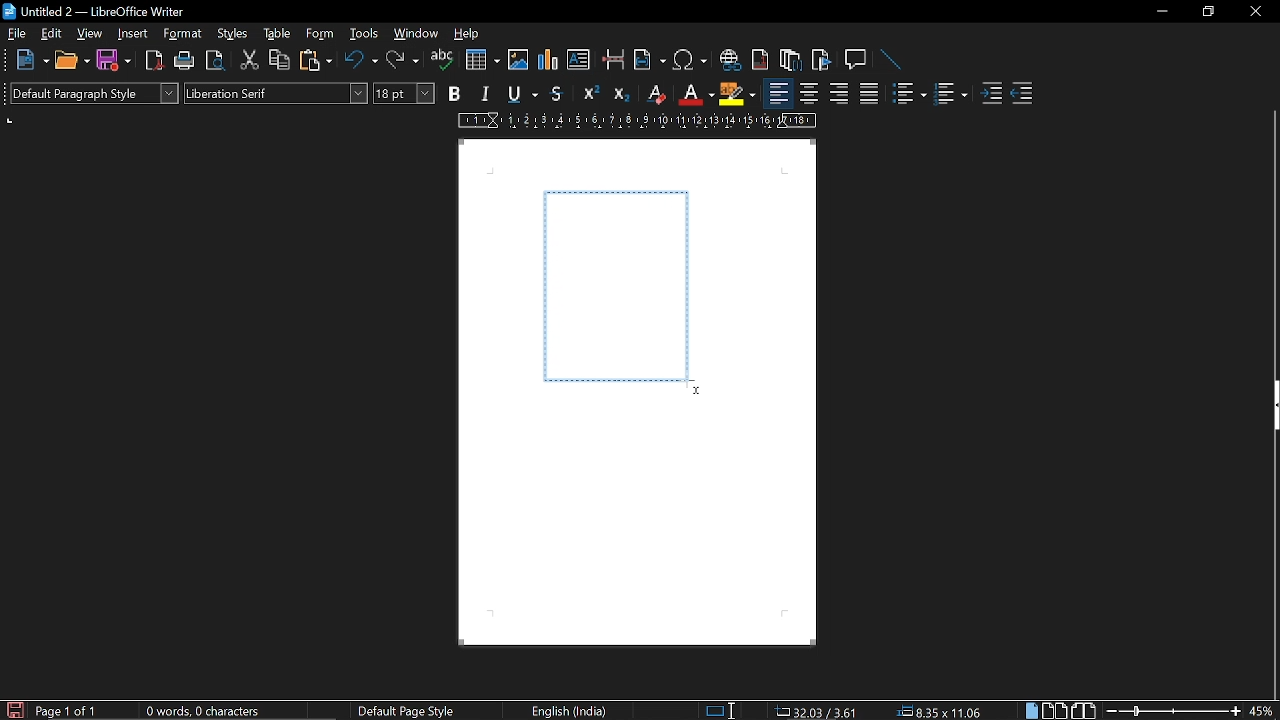 This screenshot has width=1280, height=720. What do you see at coordinates (518, 62) in the screenshot?
I see `insert image` at bounding box center [518, 62].